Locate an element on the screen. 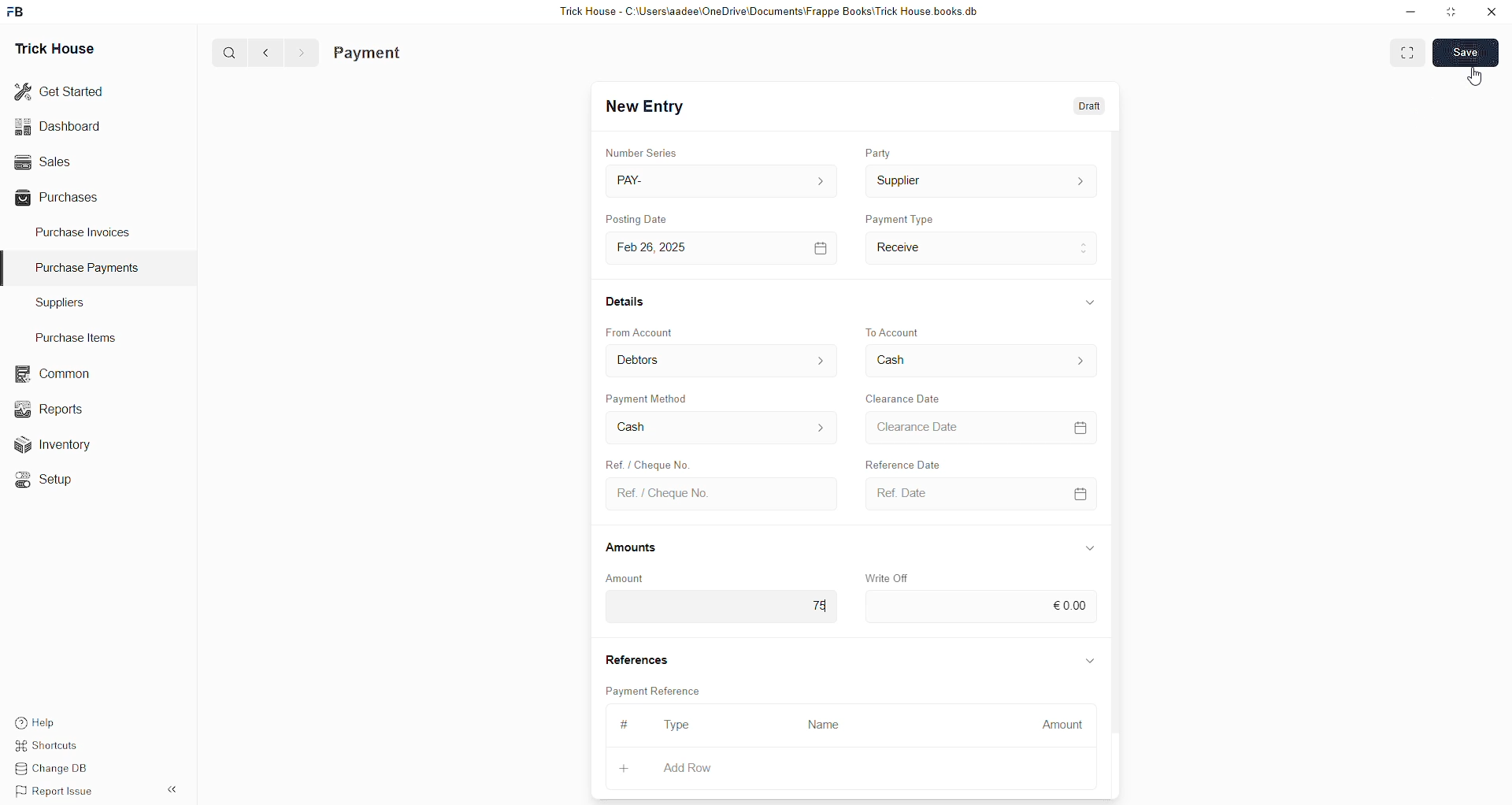  back is located at coordinates (267, 52).